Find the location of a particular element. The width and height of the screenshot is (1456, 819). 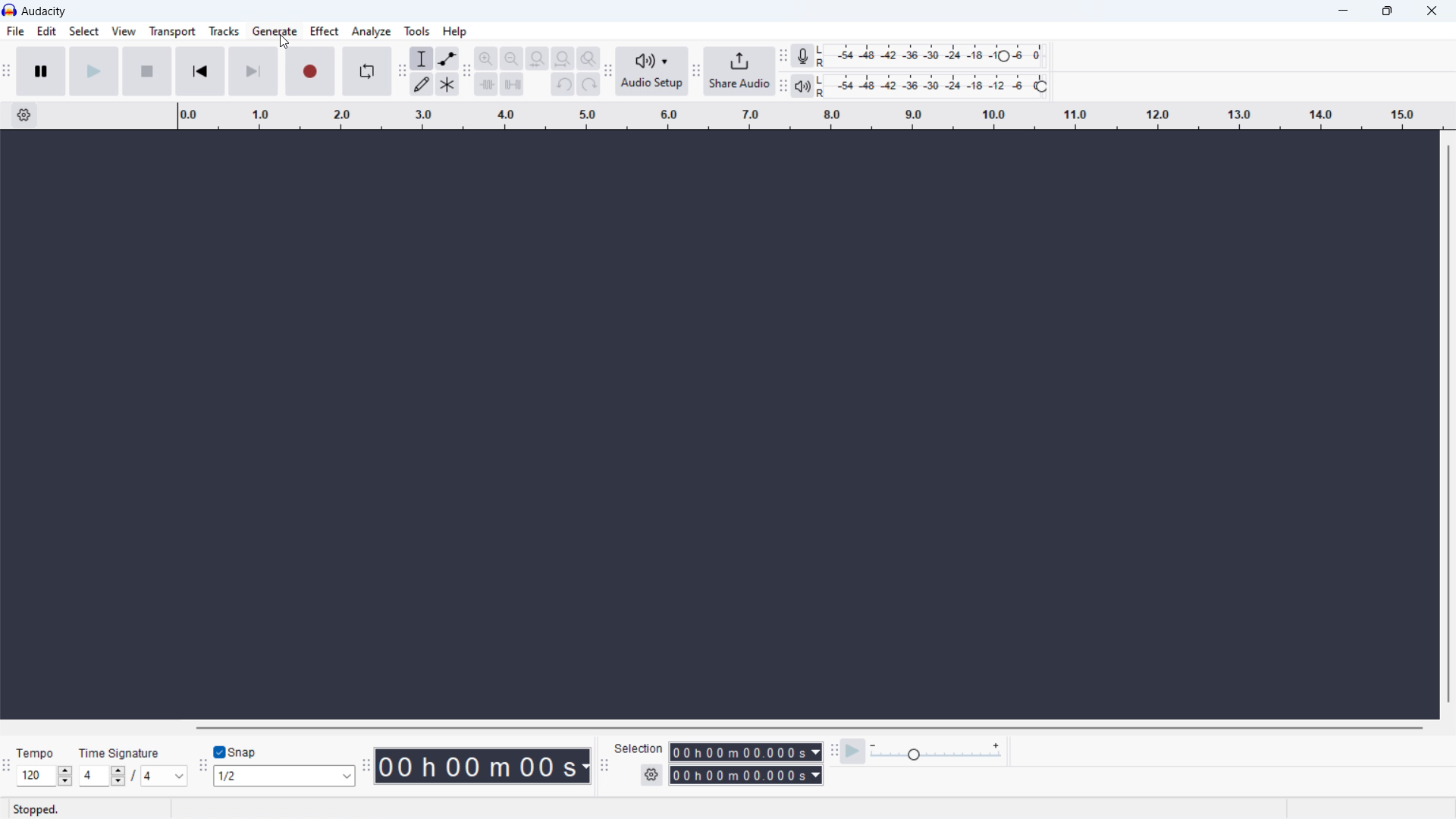

tracks is located at coordinates (224, 31).